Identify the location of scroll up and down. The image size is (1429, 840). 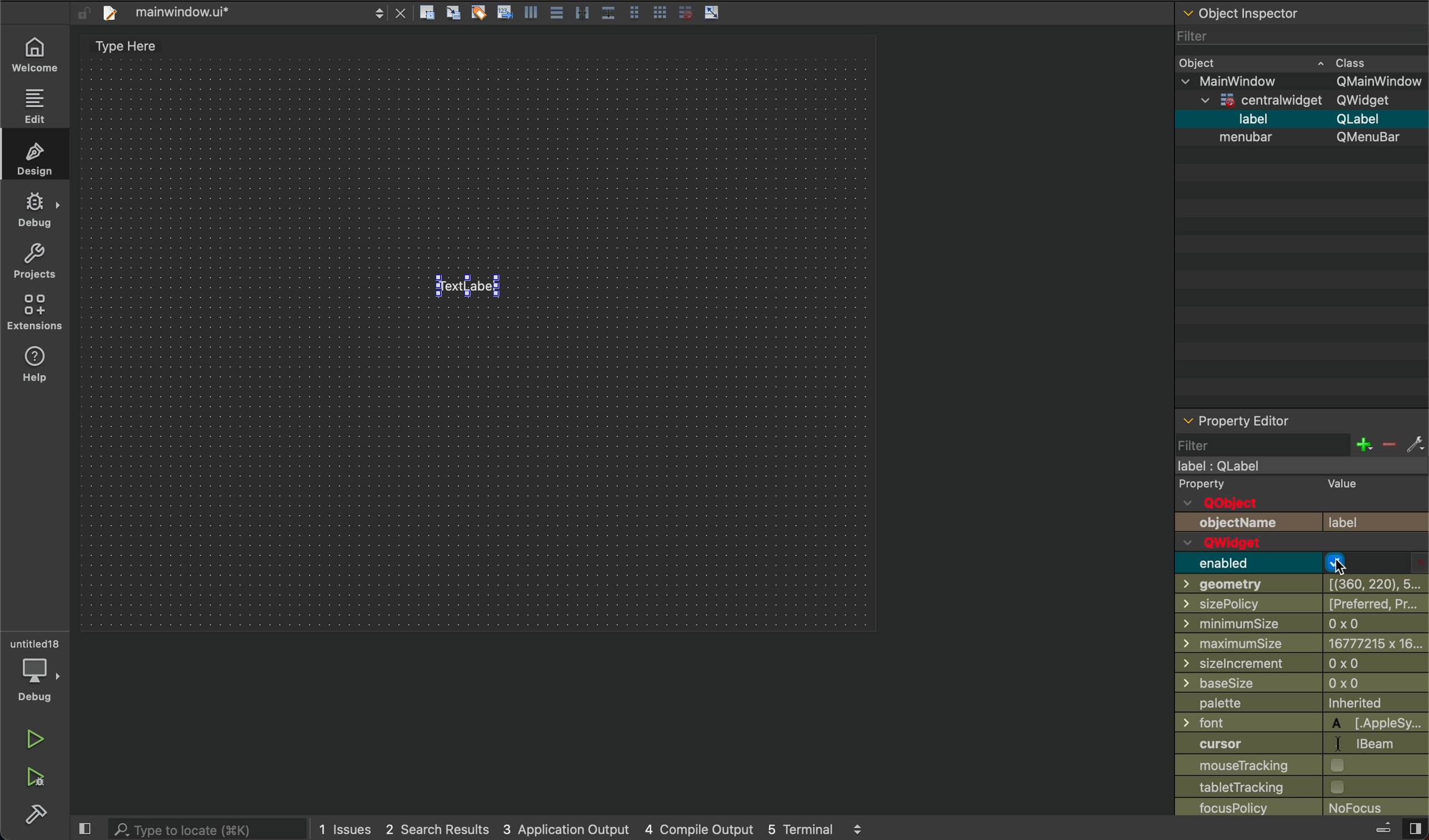
(859, 828).